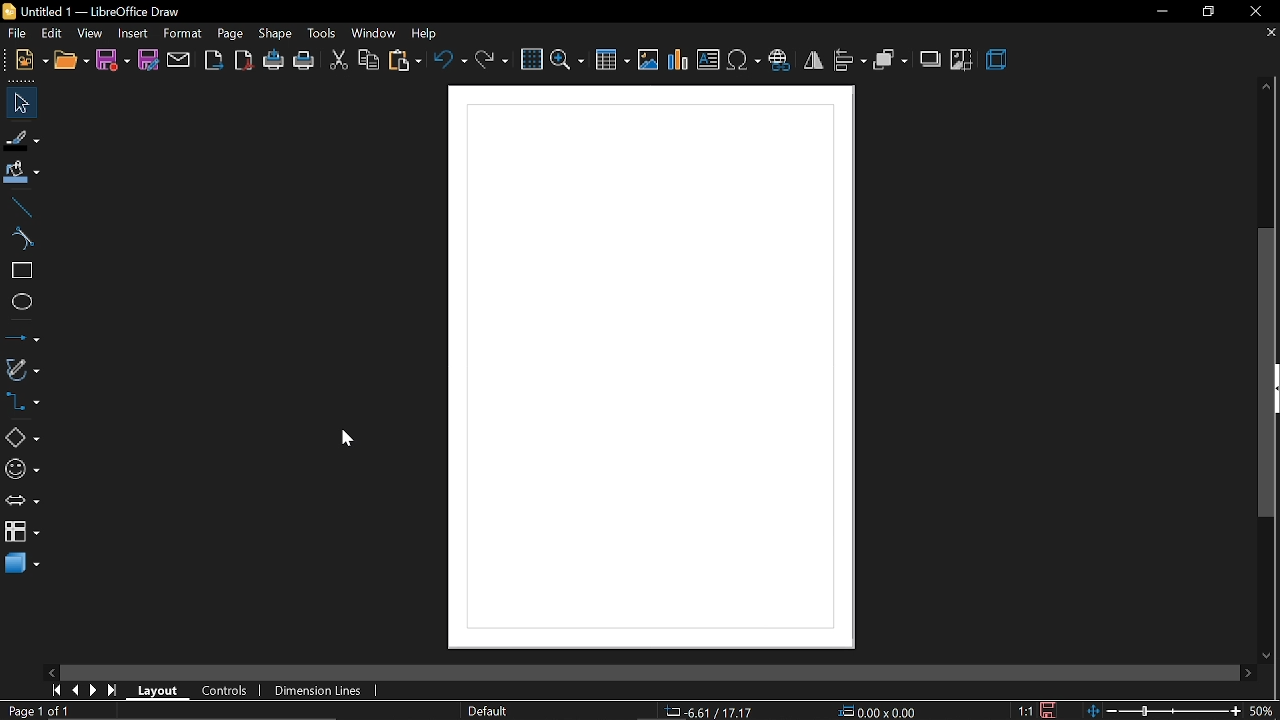 The image size is (1280, 720). What do you see at coordinates (77, 691) in the screenshot?
I see `previous page` at bounding box center [77, 691].